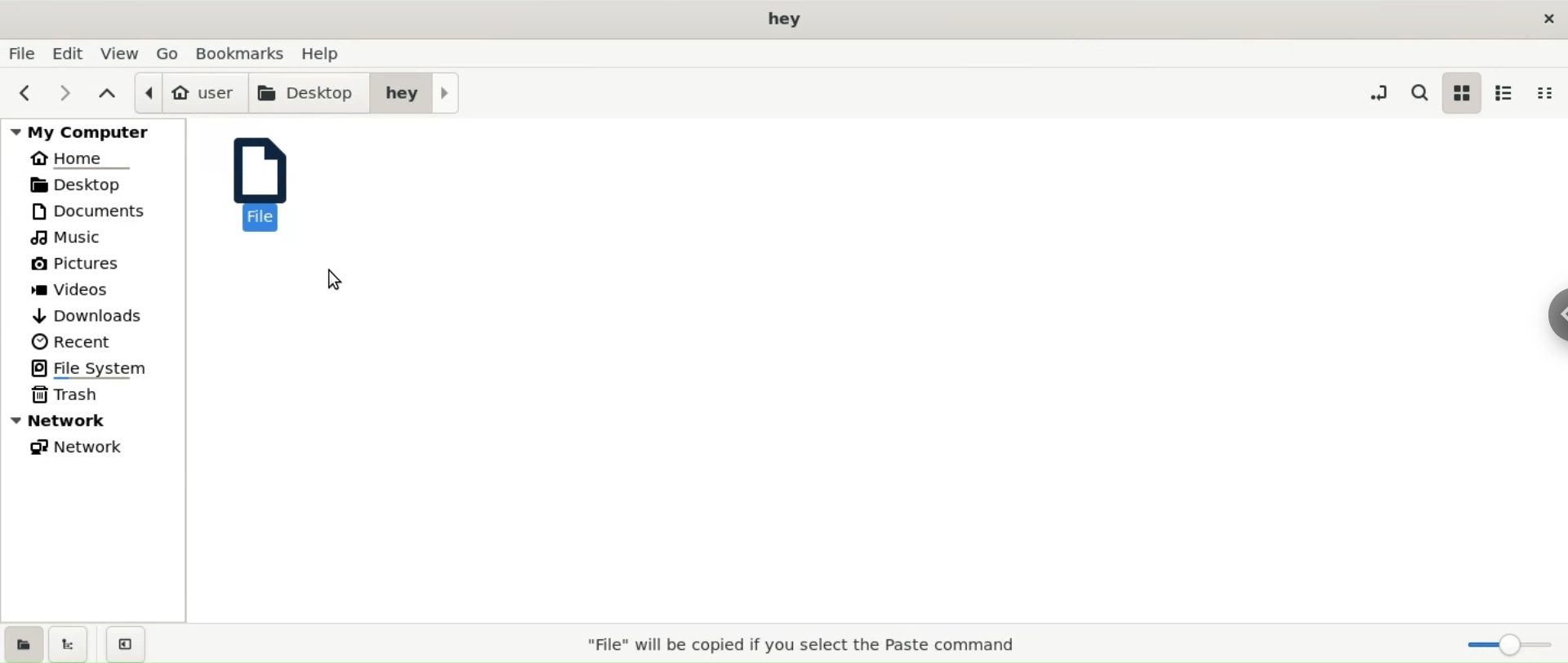 The image size is (1568, 663). I want to click on music, so click(96, 239).